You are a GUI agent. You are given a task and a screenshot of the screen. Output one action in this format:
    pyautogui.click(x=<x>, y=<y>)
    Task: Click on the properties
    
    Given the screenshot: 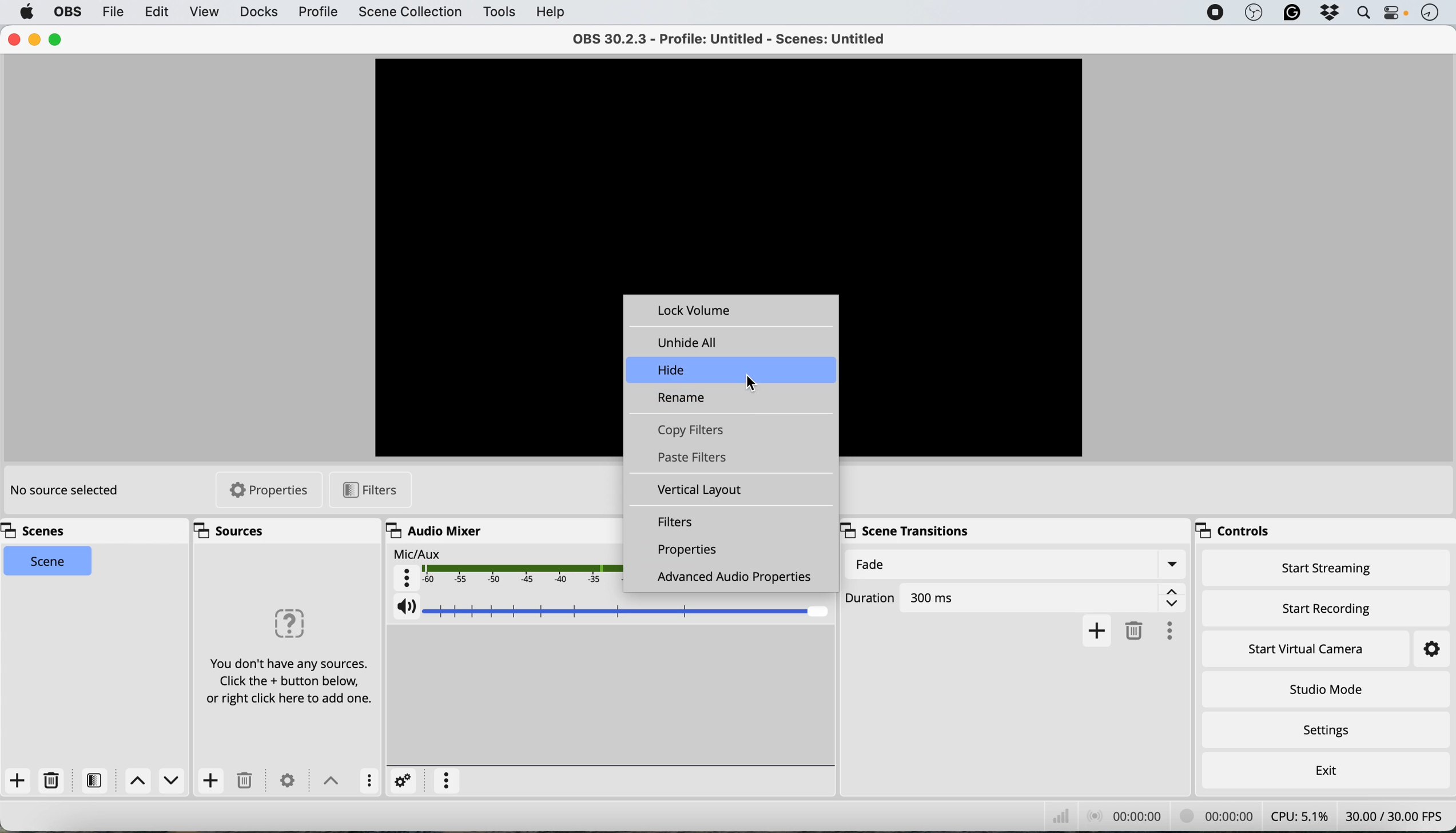 What is the action you would take?
    pyautogui.click(x=270, y=490)
    